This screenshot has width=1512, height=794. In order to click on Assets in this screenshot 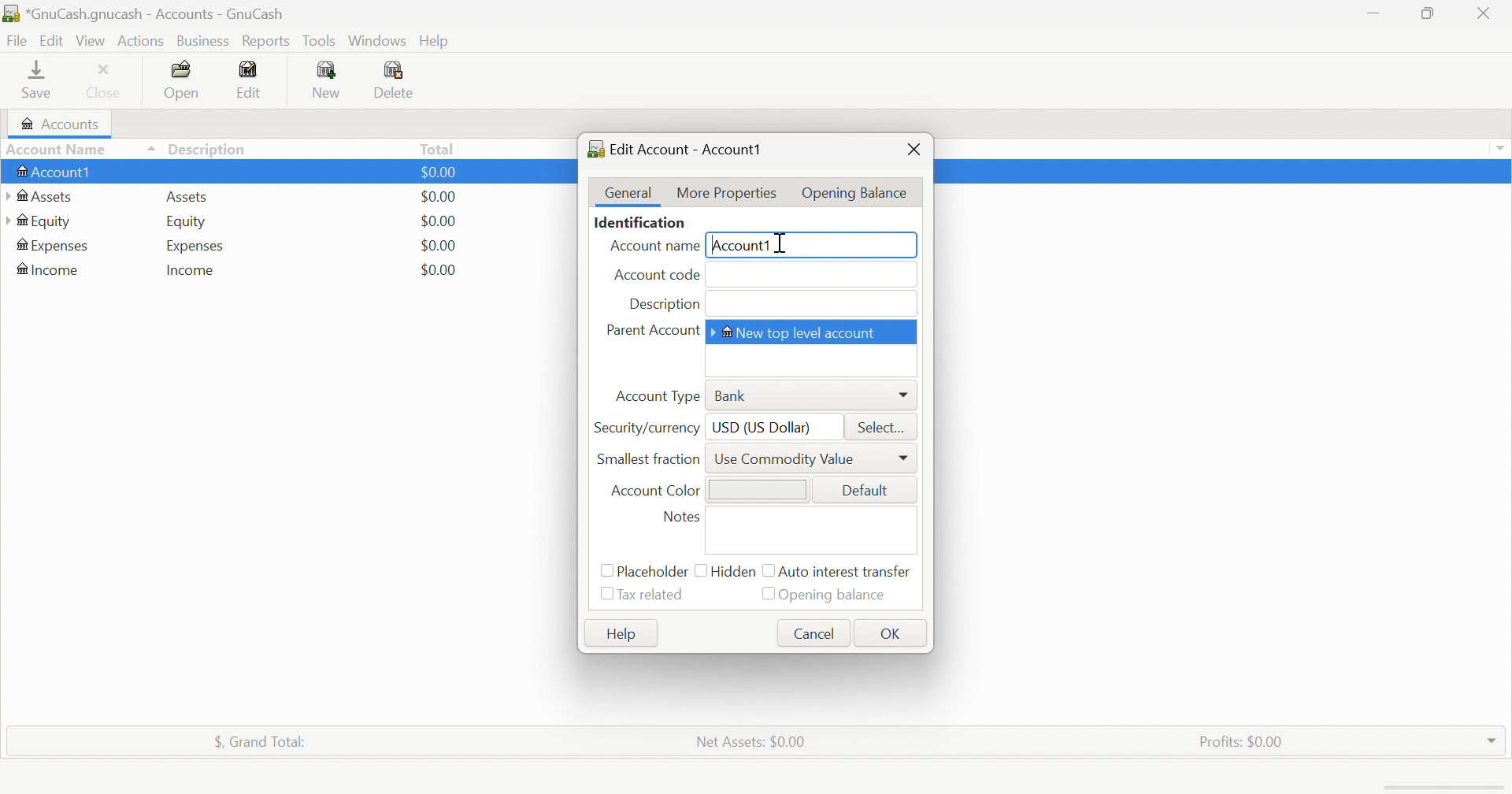, I will do `click(183, 198)`.